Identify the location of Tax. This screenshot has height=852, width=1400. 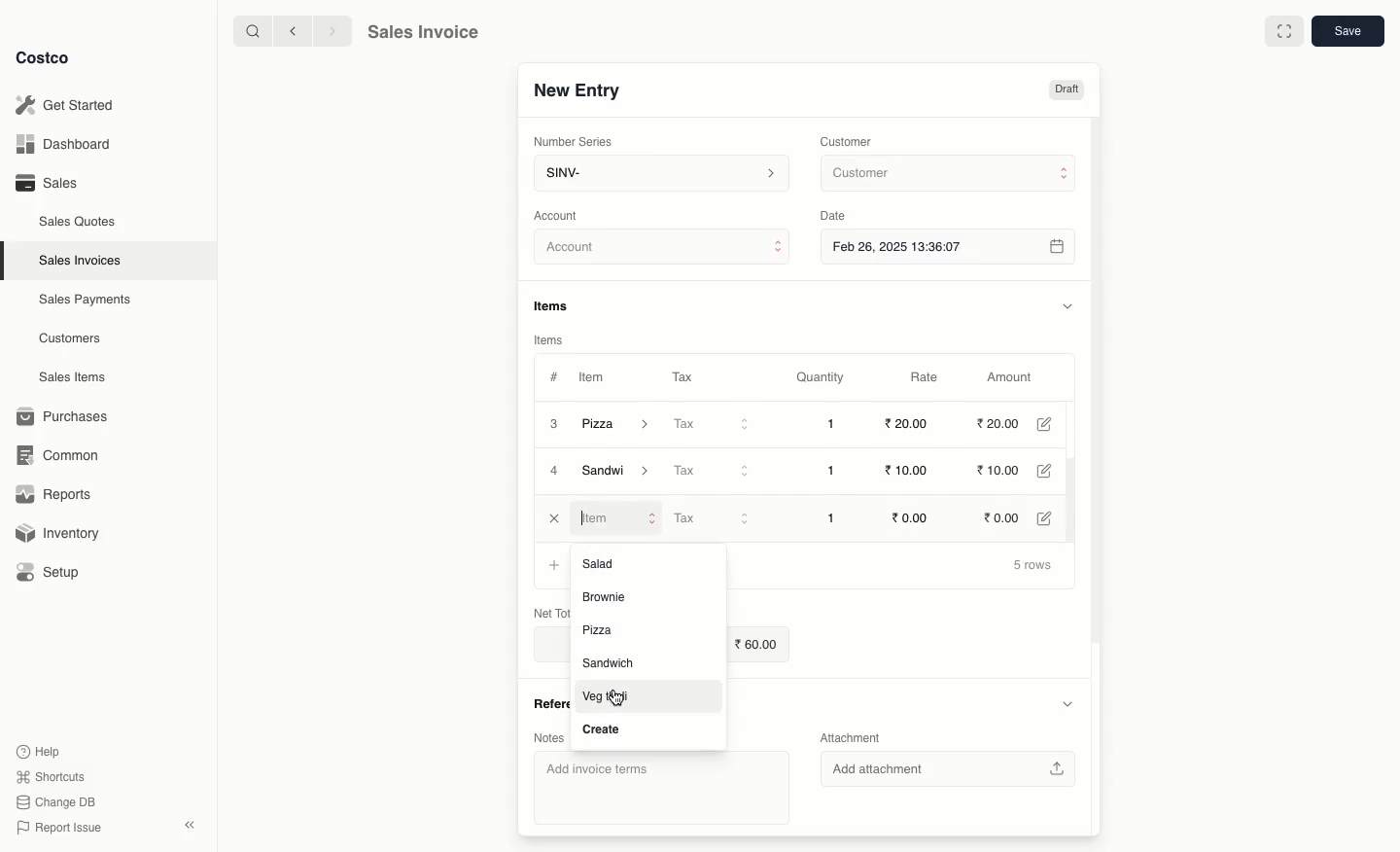
(682, 373).